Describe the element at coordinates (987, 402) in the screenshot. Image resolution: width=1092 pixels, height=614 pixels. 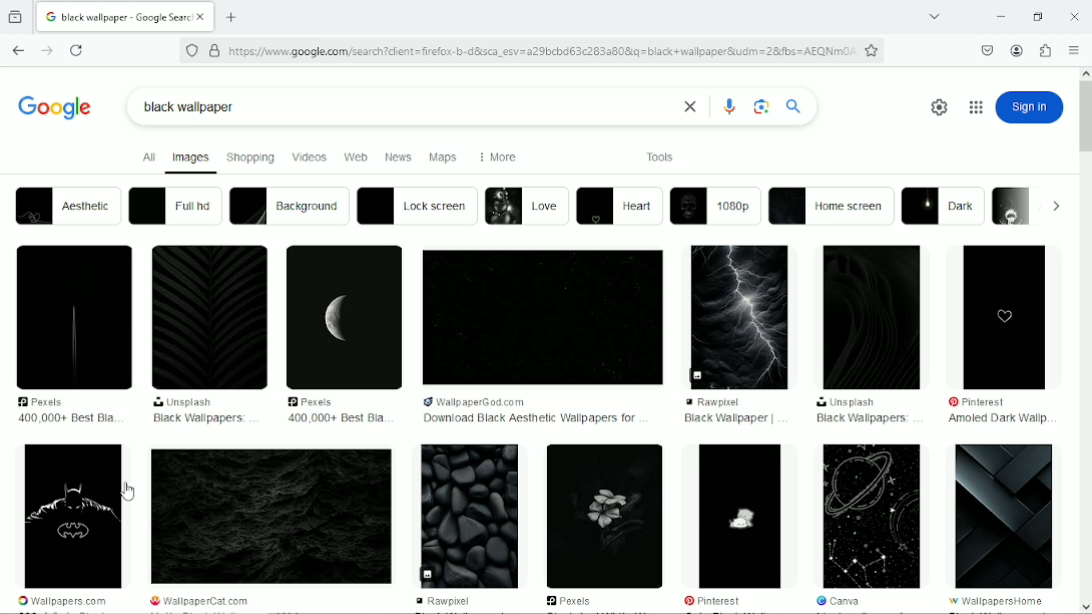
I see `pinterest` at that location.